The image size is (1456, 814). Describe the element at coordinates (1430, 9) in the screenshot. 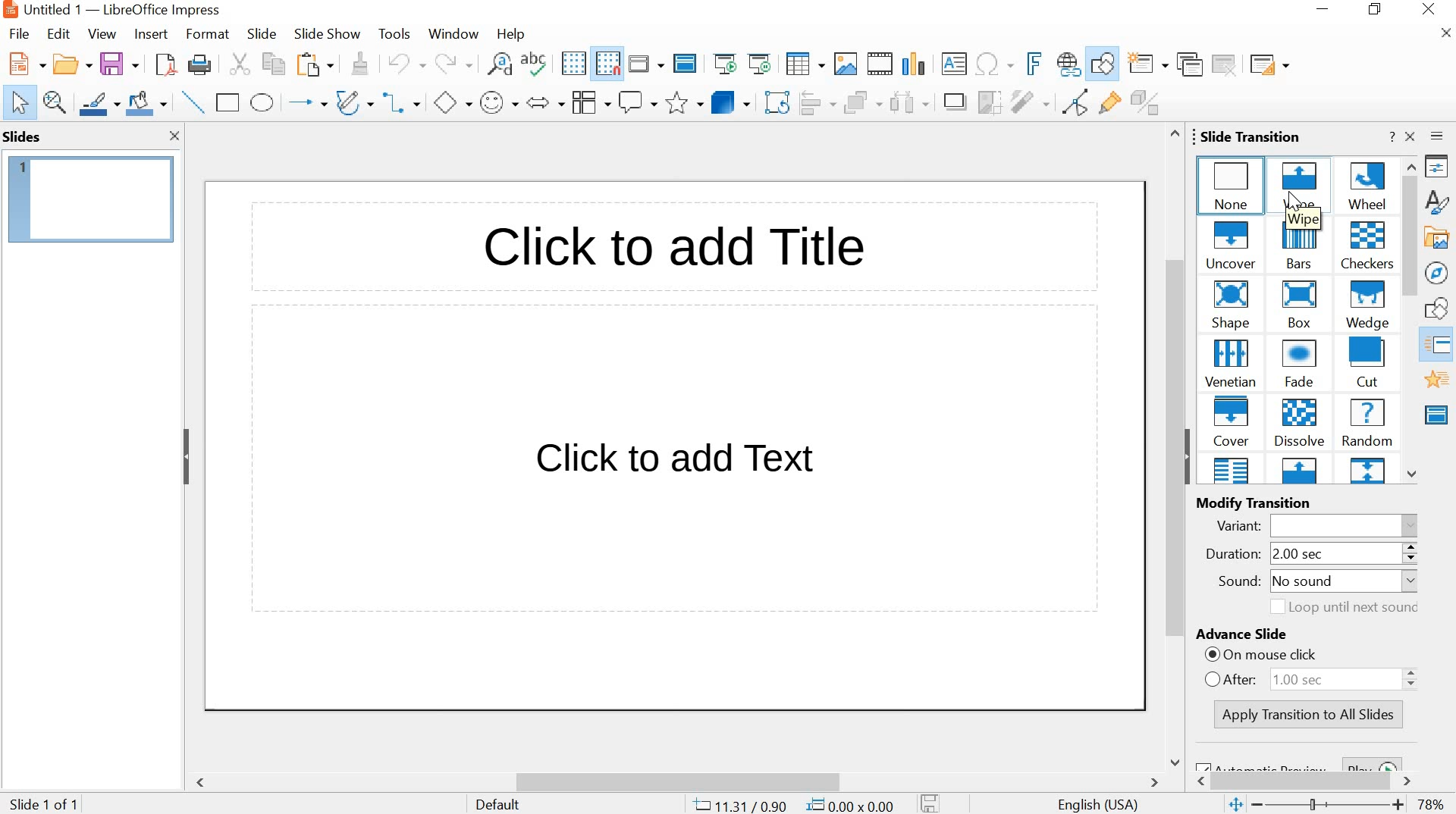

I see `CLOSE` at that location.